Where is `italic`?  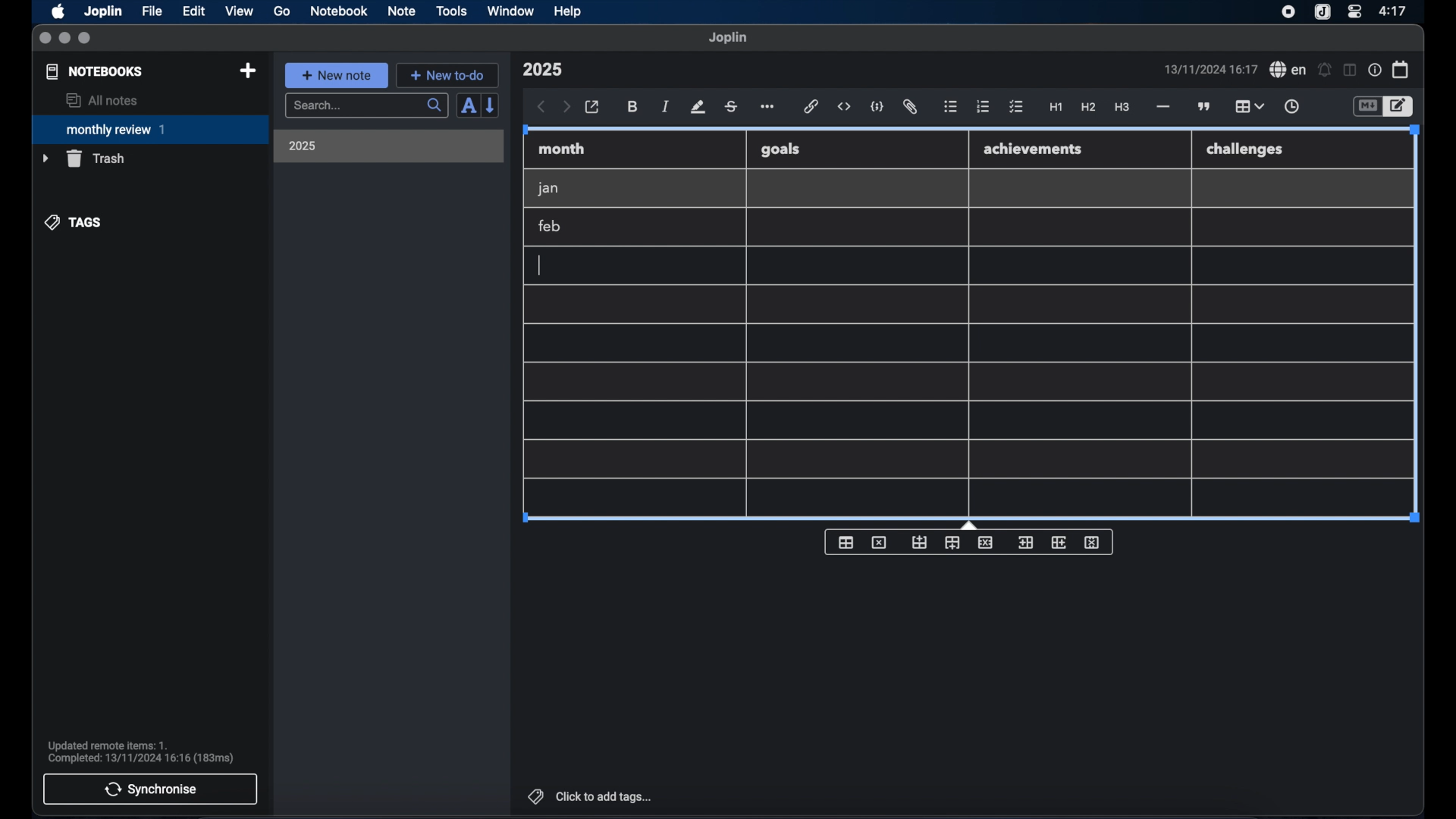
italic is located at coordinates (666, 106).